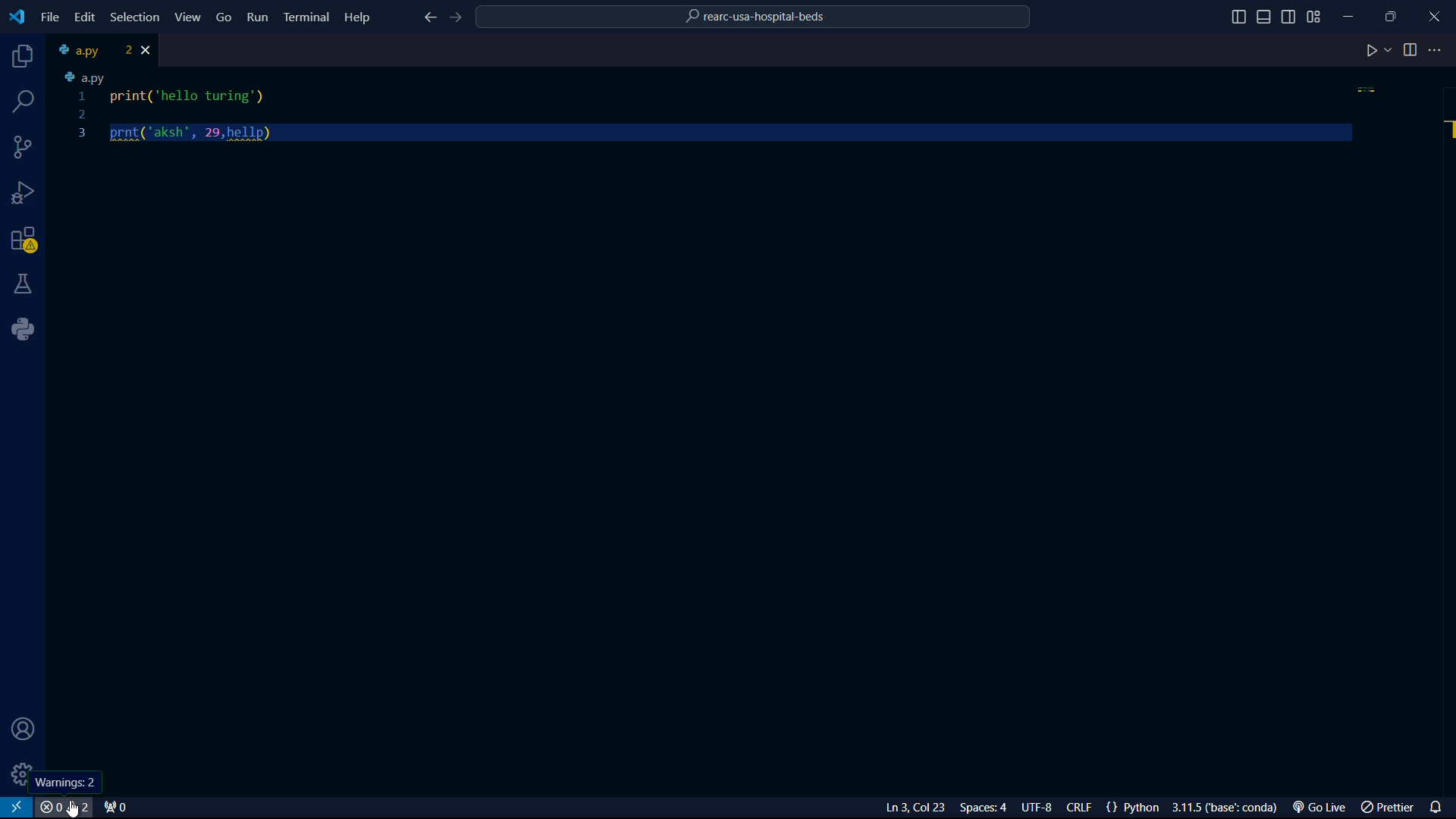 This screenshot has width=1456, height=819. What do you see at coordinates (65, 780) in the screenshot?
I see `Warnings: 2` at bounding box center [65, 780].